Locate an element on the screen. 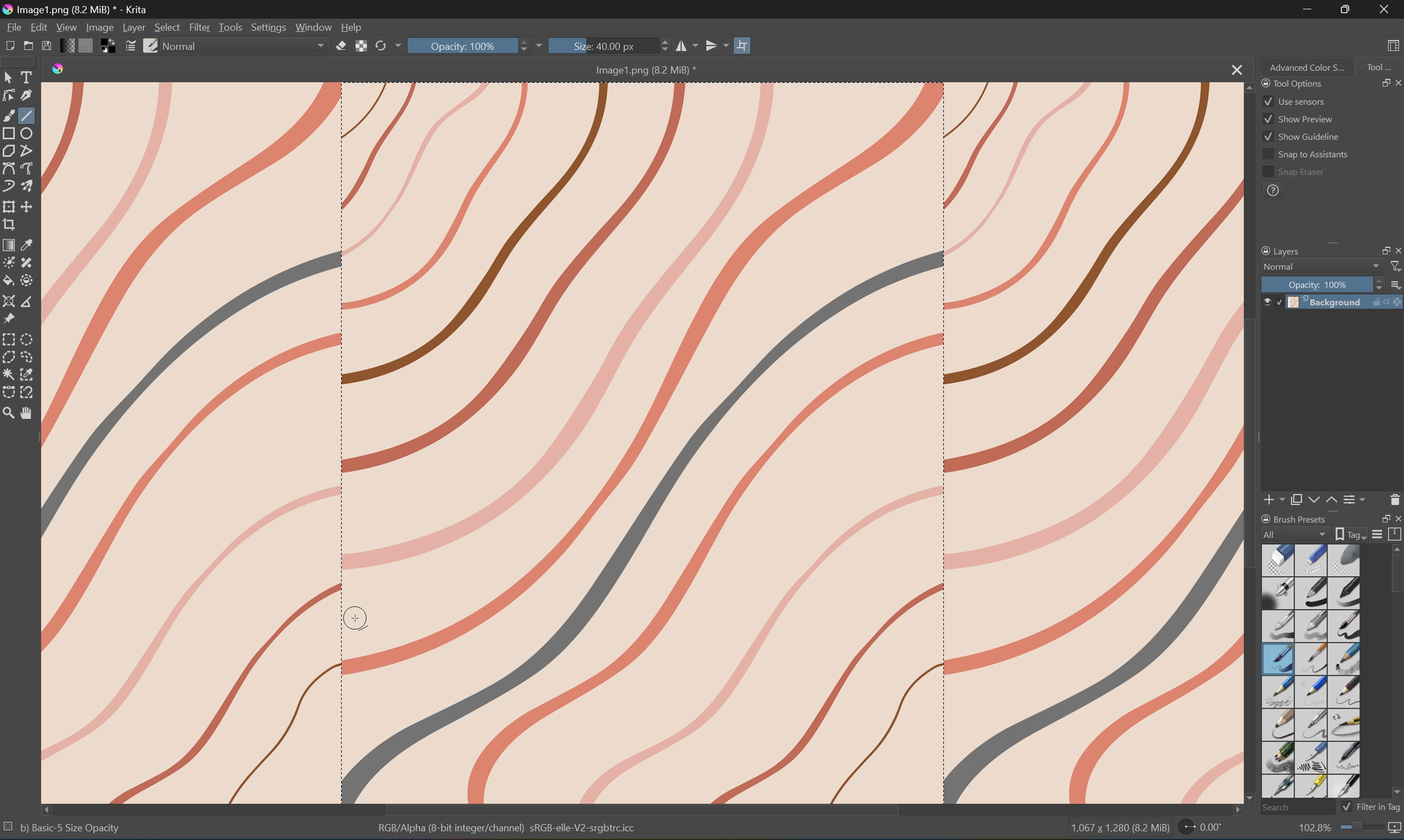 The width and height of the screenshot is (1404, 840). Slider is located at coordinates (661, 46).